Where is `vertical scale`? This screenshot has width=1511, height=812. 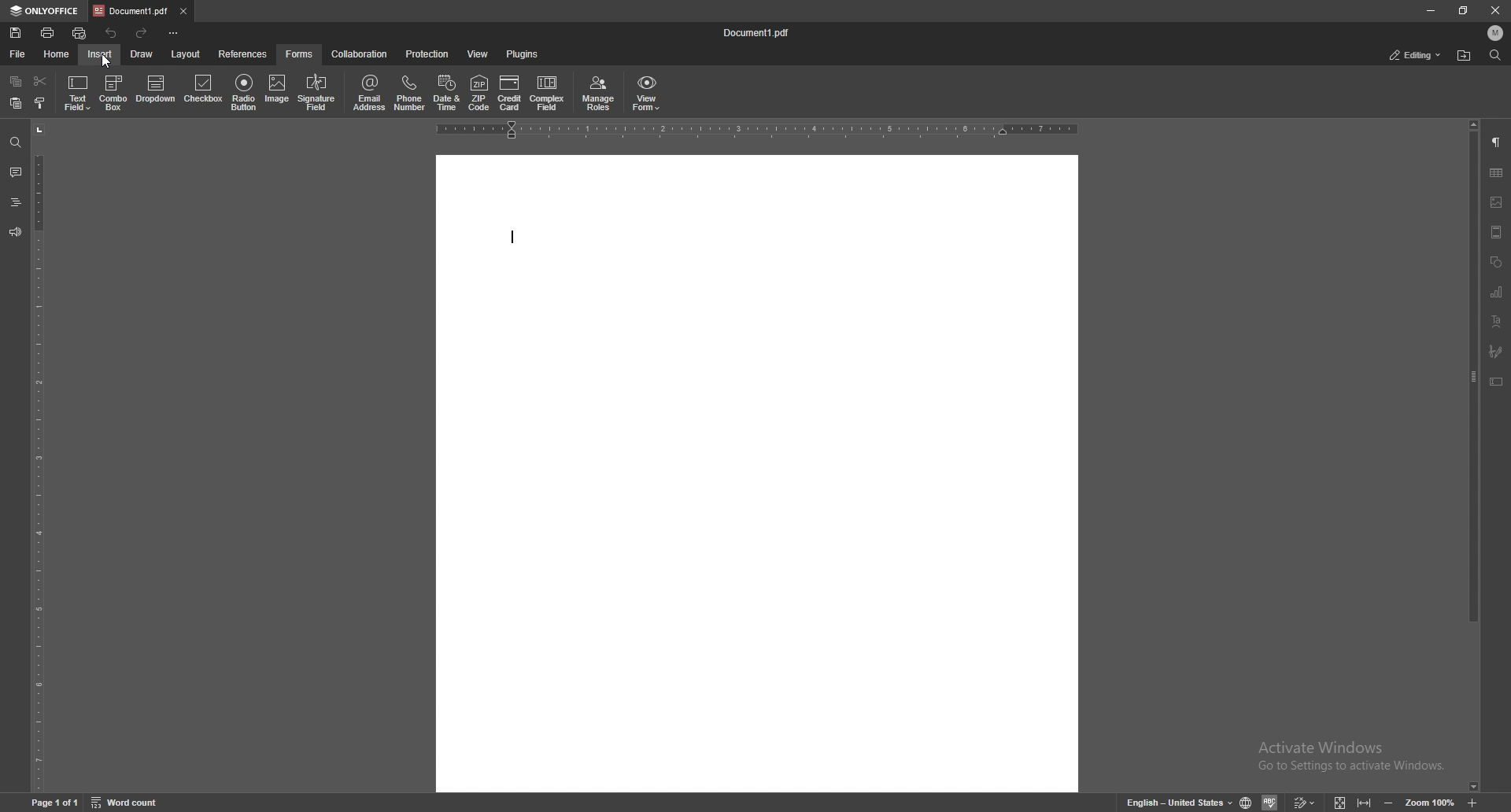
vertical scale is located at coordinates (39, 456).